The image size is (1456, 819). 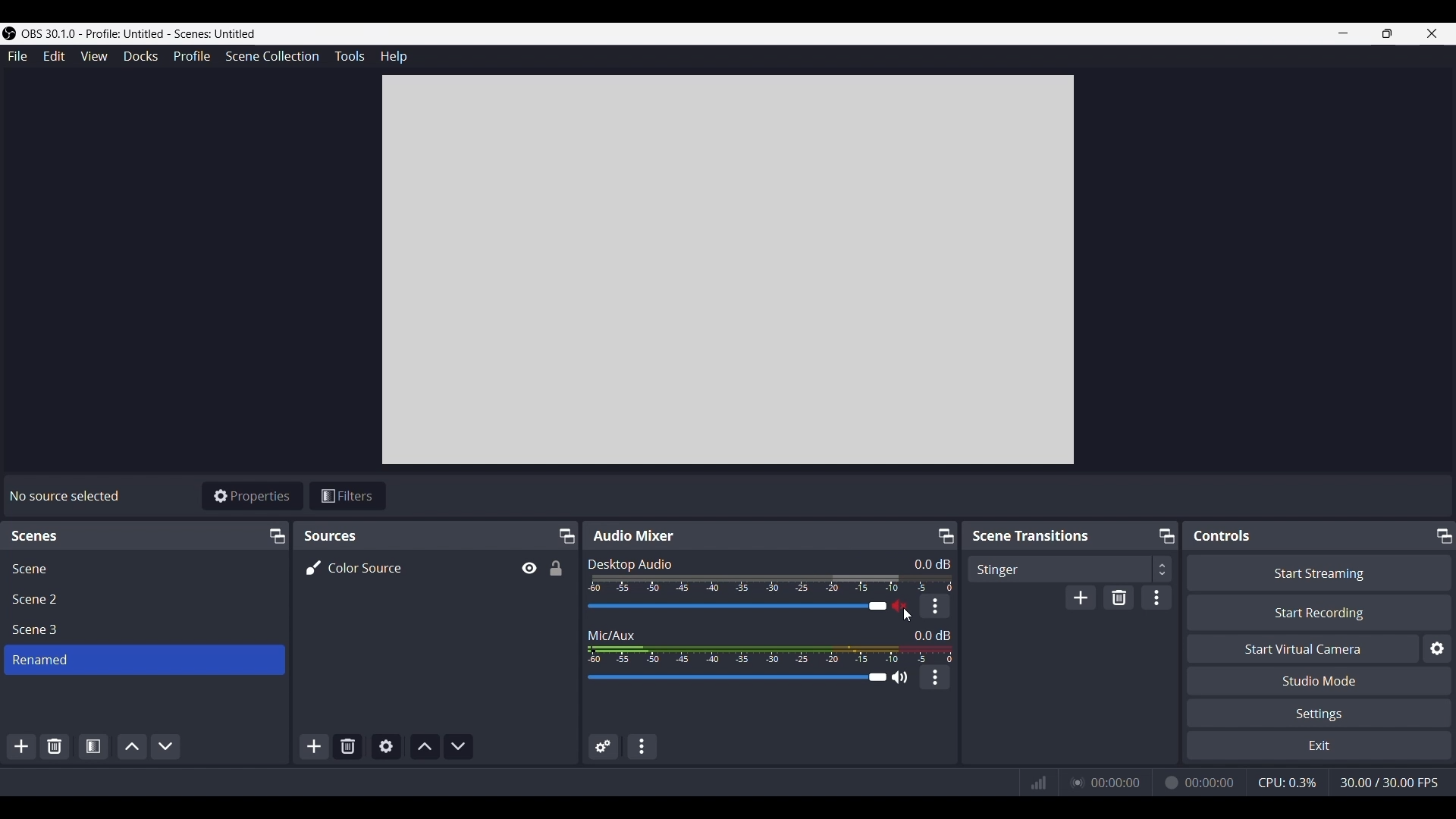 What do you see at coordinates (932, 635) in the screenshot?
I see `Current volume of Mic/Aux` at bounding box center [932, 635].